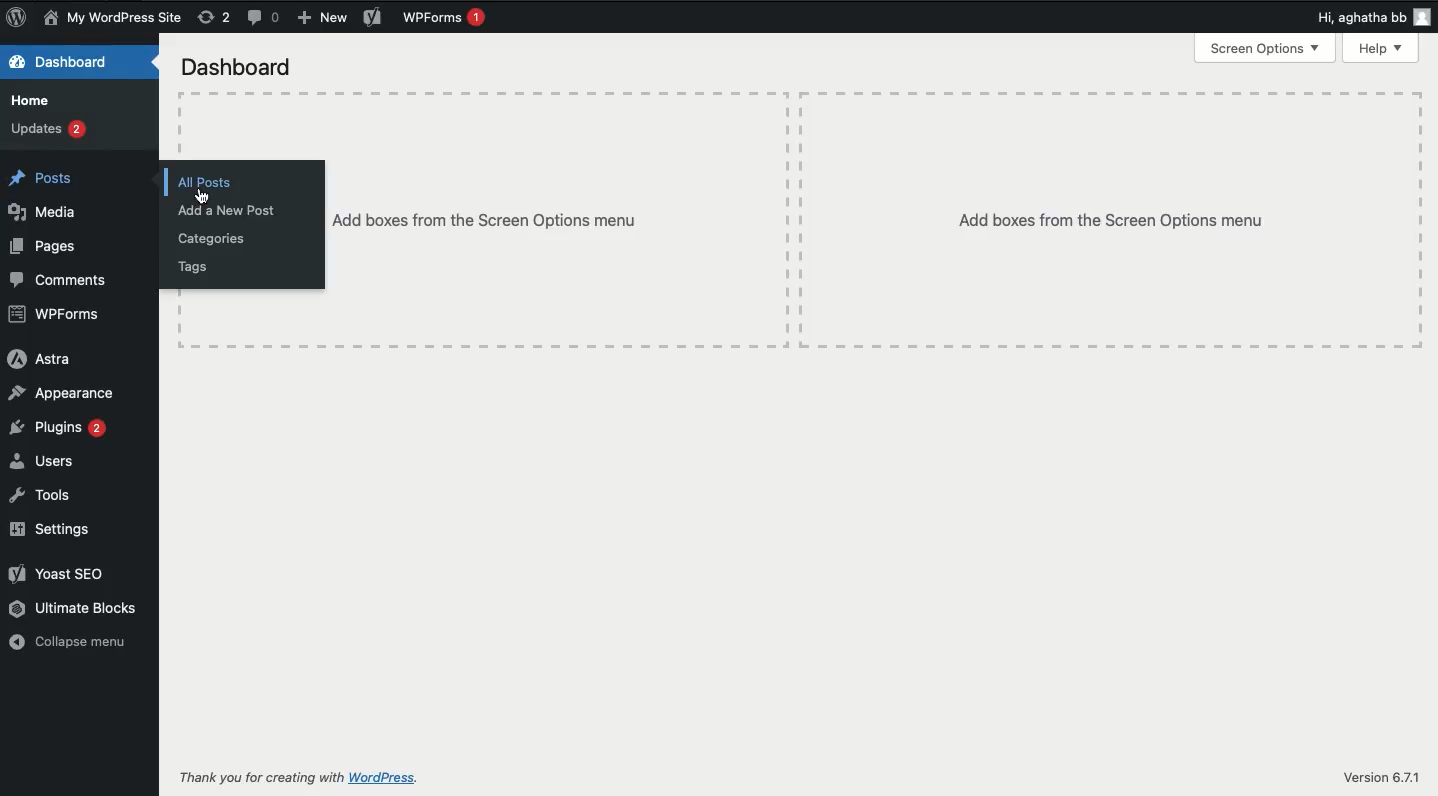 The image size is (1438, 796). I want to click on Users, so click(44, 460).